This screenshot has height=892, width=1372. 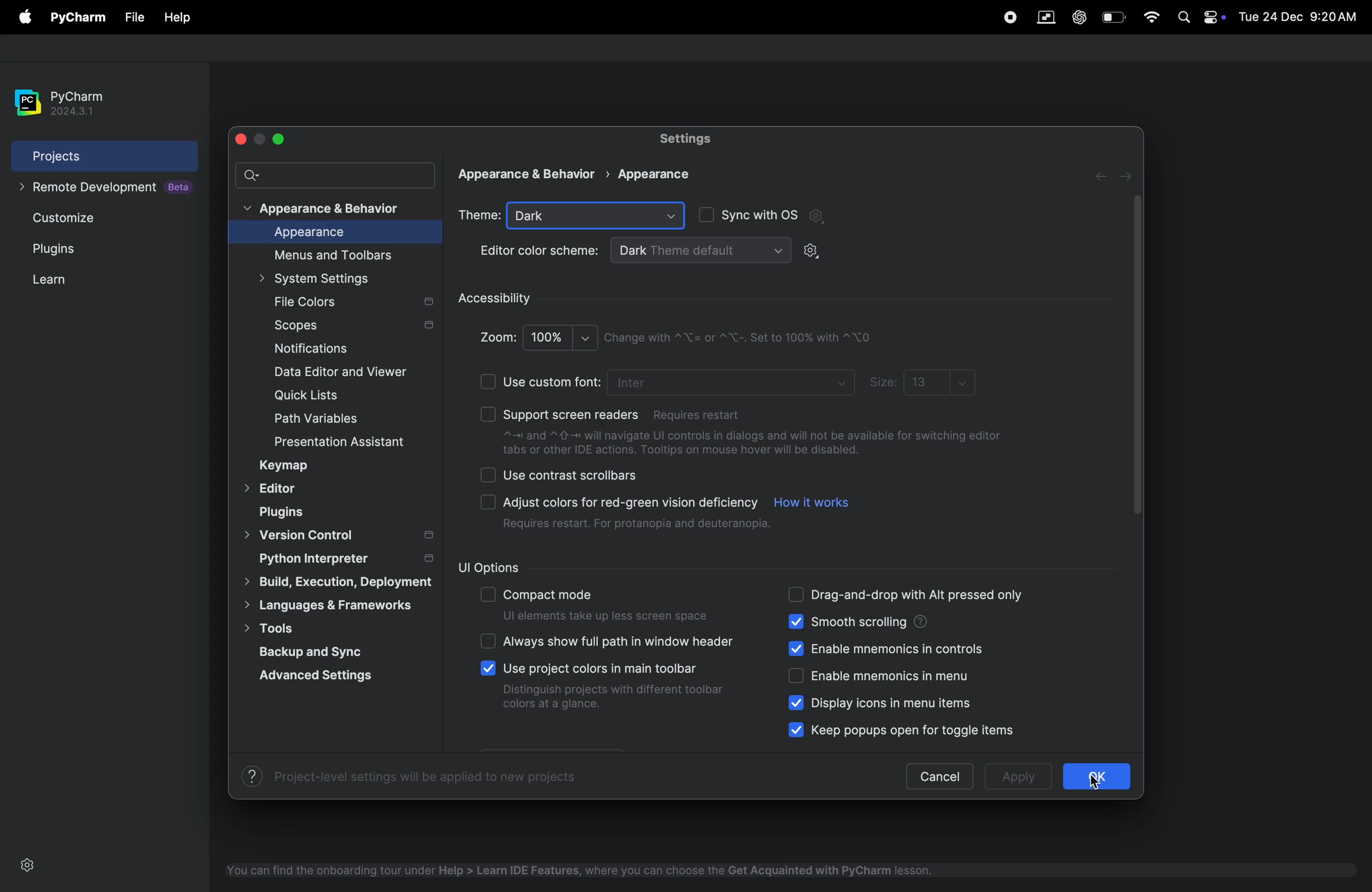 What do you see at coordinates (105, 155) in the screenshot?
I see `projects` at bounding box center [105, 155].